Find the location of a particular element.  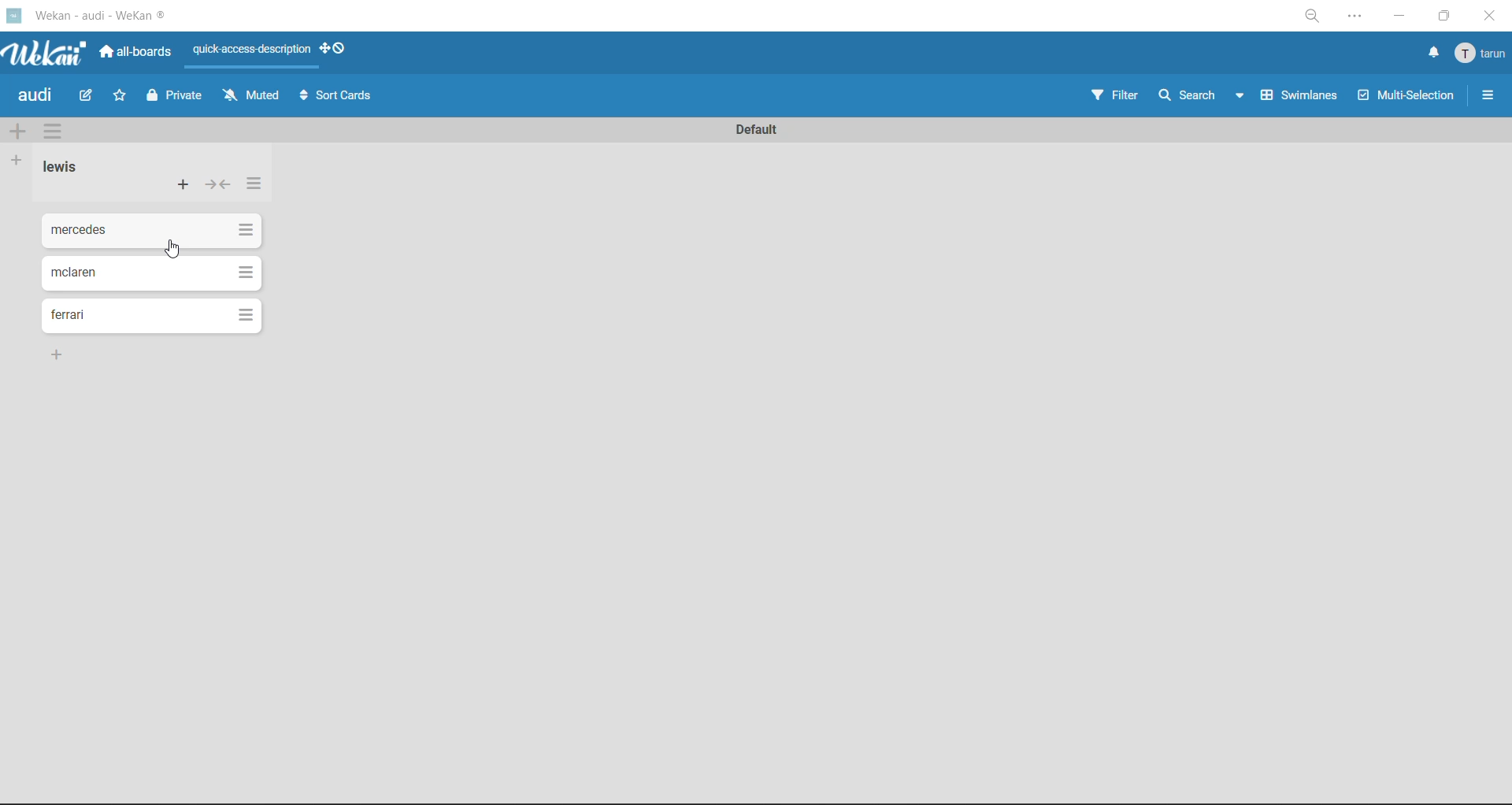

multiselection is located at coordinates (1407, 98).